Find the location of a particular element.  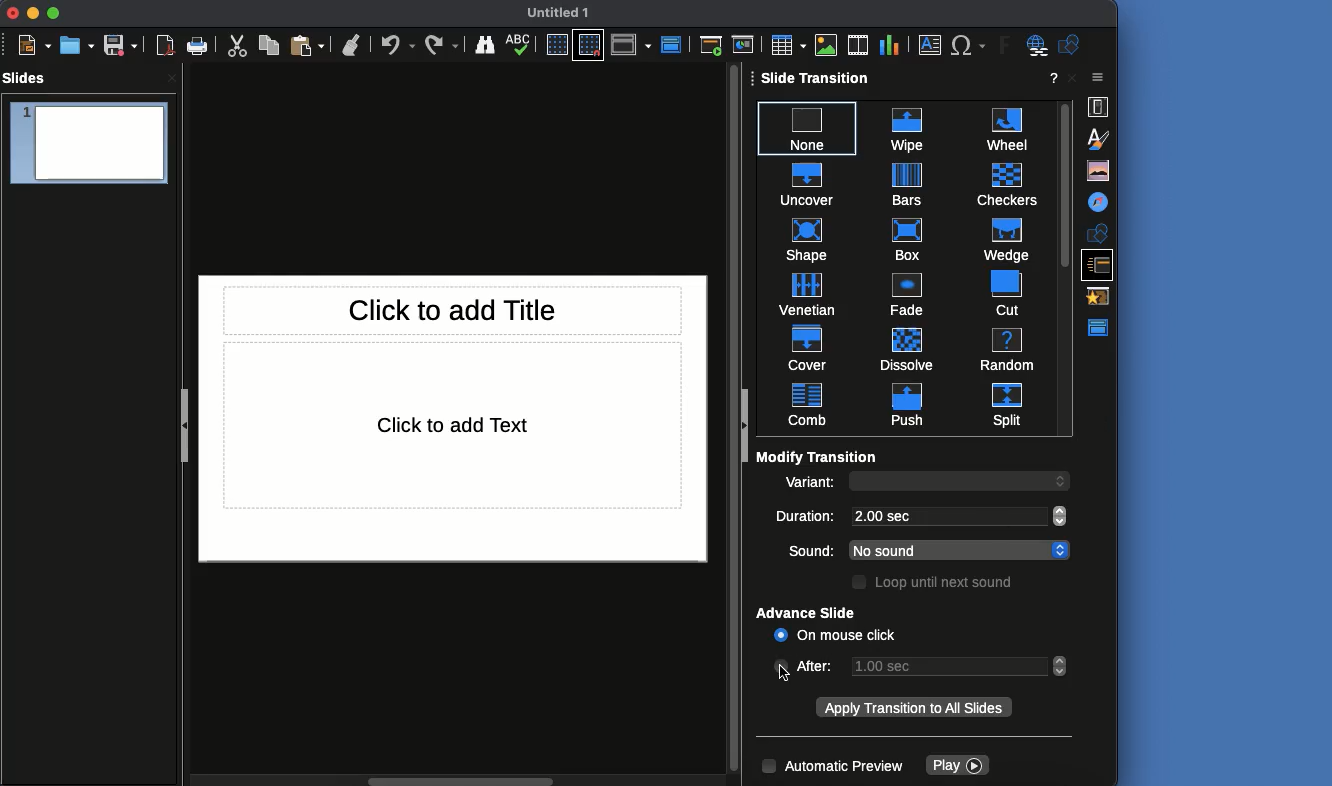

scroll is located at coordinates (1062, 550).